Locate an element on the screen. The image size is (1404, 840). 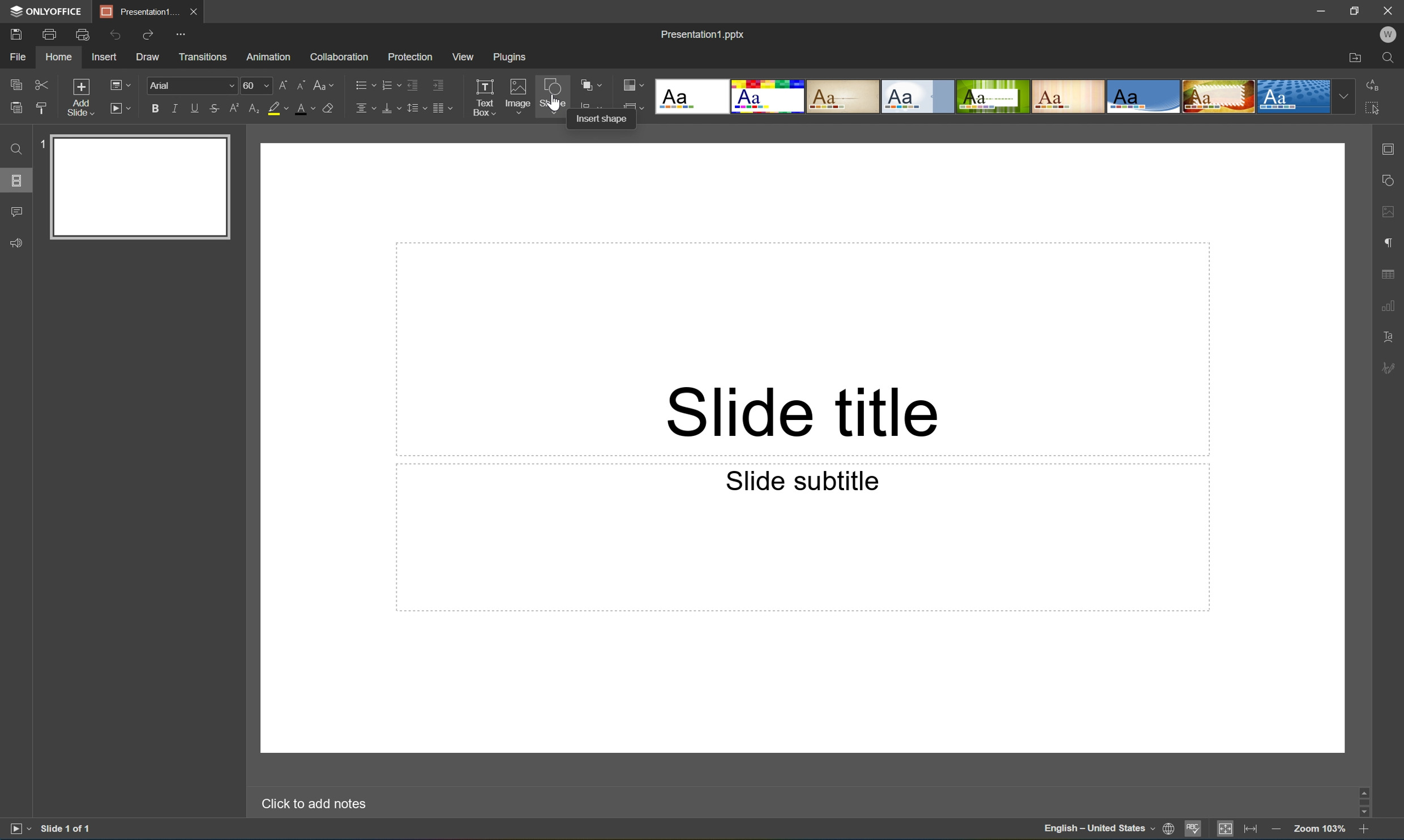
Customize quick access toolbar is located at coordinates (178, 33).